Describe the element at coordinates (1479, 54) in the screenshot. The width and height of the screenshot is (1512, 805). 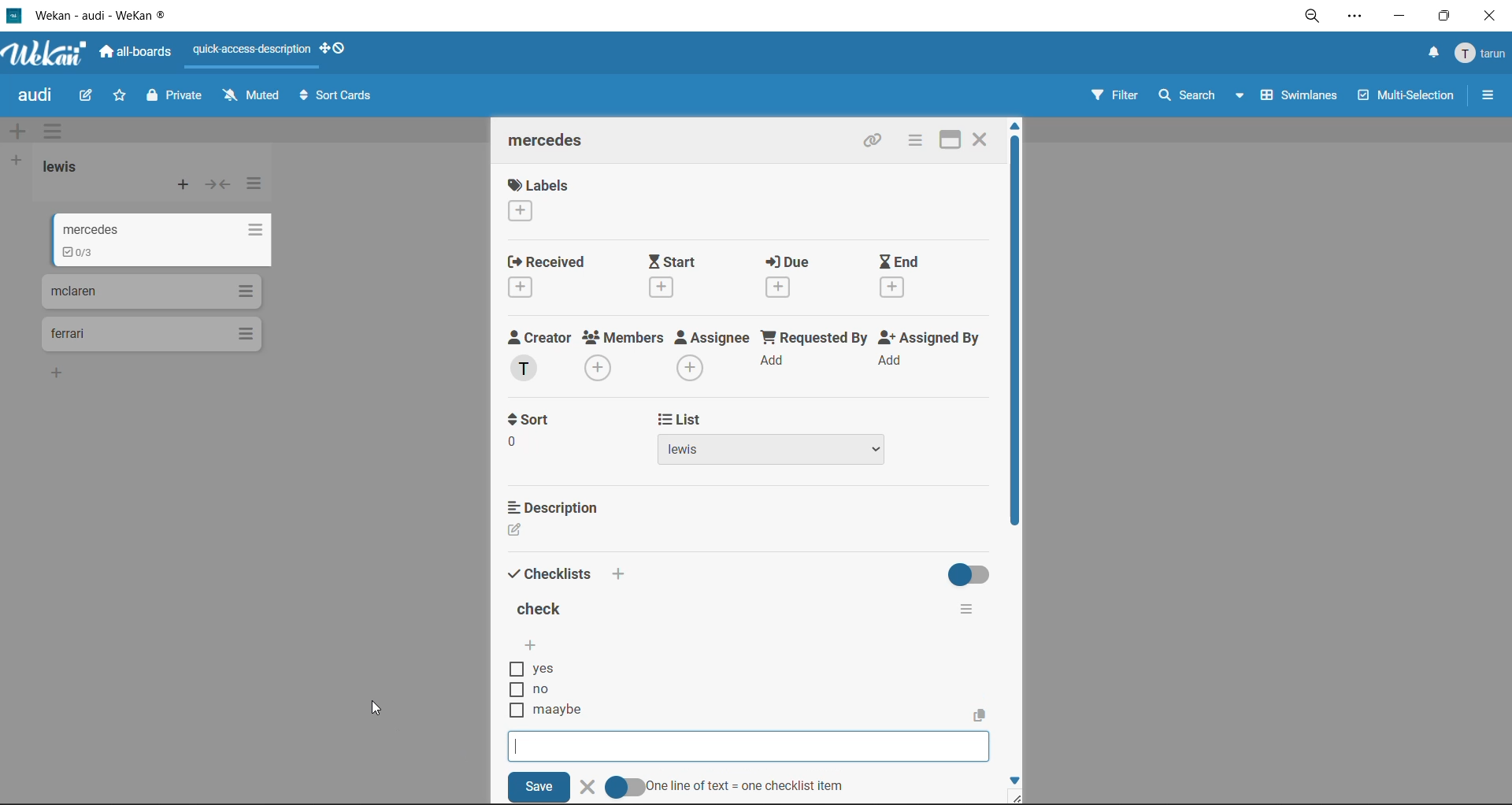
I see `menu` at that location.